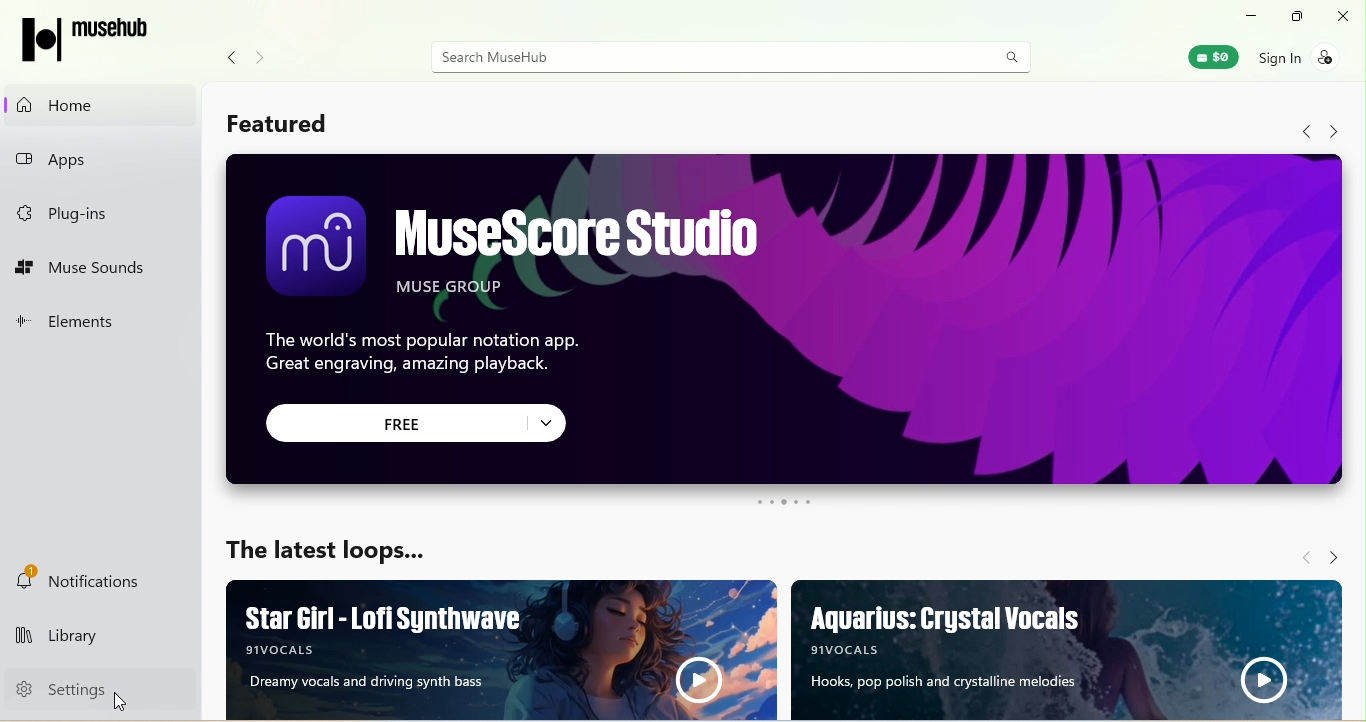  What do you see at coordinates (90, 639) in the screenshot?
I see `Library` at bounding box center [90, 639].